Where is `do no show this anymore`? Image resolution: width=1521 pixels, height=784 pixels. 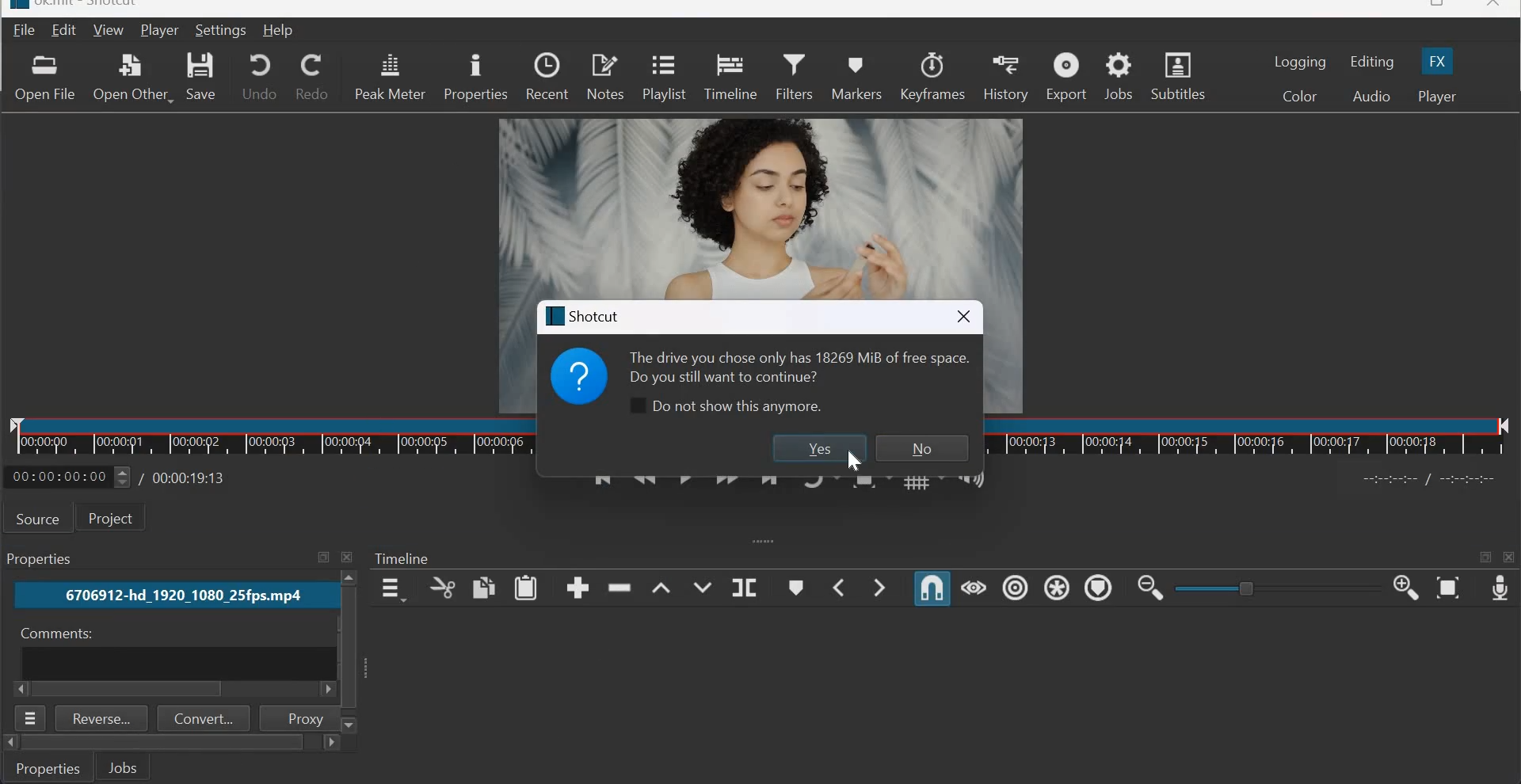 do no show this anymore is located at coordinates (722, 407).